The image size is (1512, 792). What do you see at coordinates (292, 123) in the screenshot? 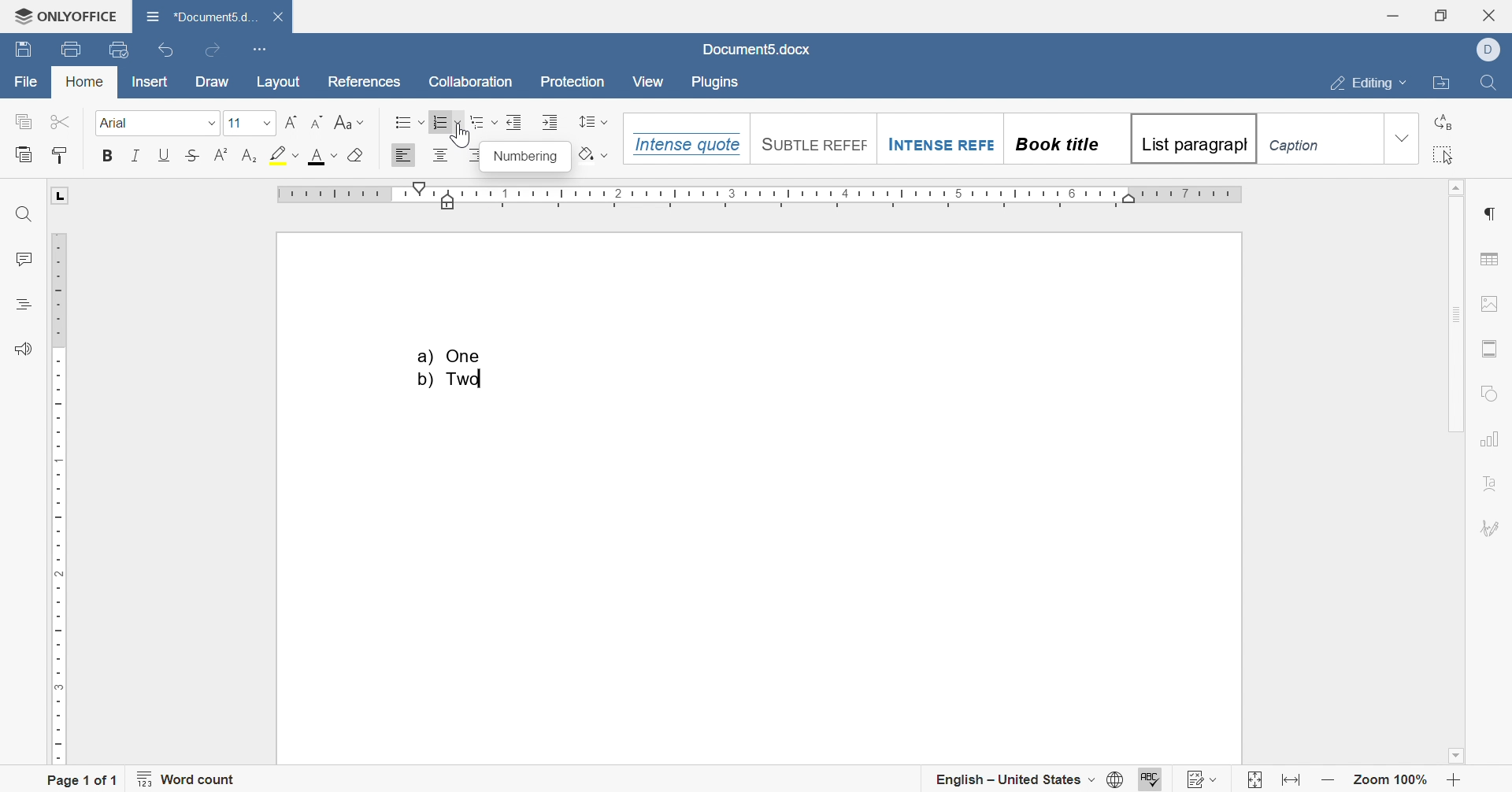
I see `Increment font size` at bounding box center [292, 123].